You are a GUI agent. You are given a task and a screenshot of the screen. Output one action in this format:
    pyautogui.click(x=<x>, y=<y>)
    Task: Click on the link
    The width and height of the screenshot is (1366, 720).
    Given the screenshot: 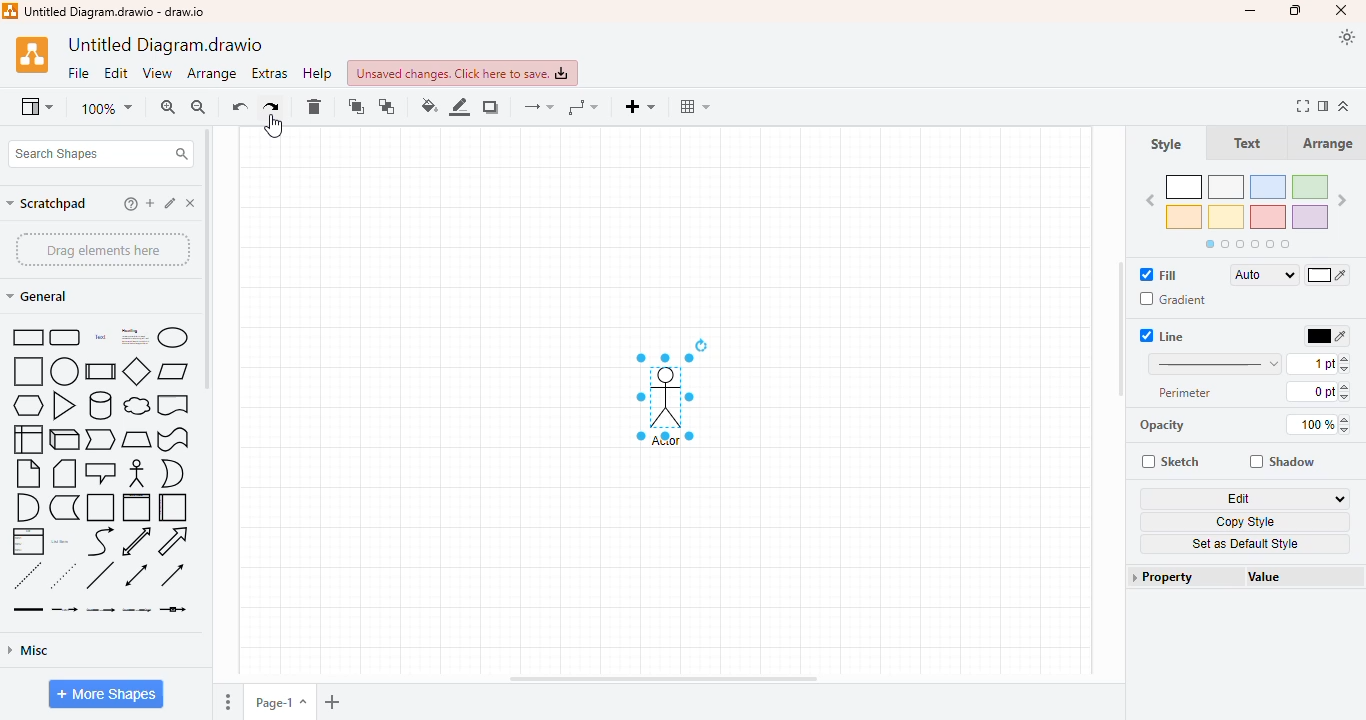 What is the action you would take?
    pyautogui.click(x=28, y=609)
    